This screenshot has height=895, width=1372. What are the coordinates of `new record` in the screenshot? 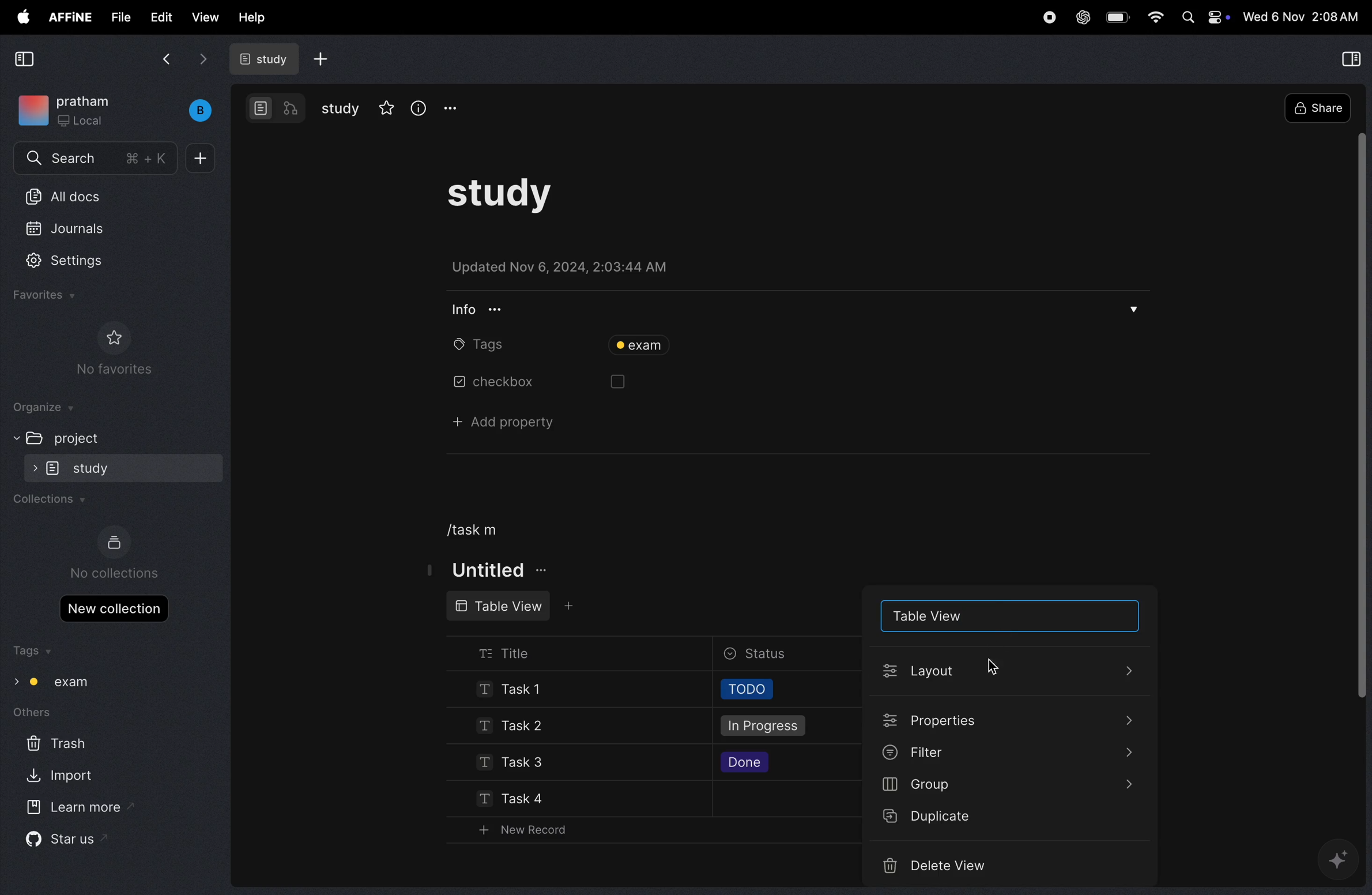 It's located at (518, 831).